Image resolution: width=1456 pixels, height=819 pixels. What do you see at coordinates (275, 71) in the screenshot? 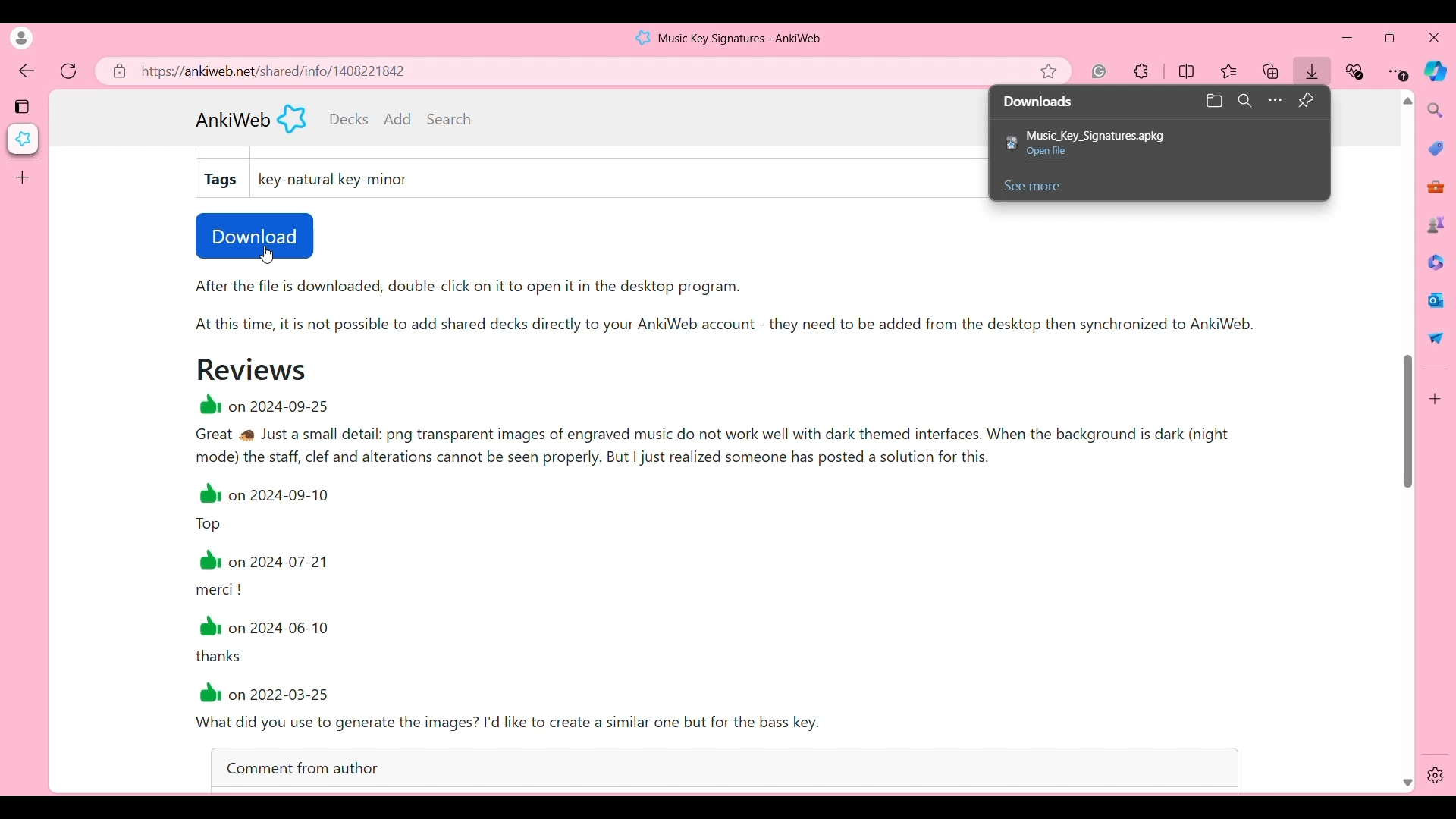
I see `https://ankiweb.net/shared/info/1408221842` at bounding box center [275, 71].